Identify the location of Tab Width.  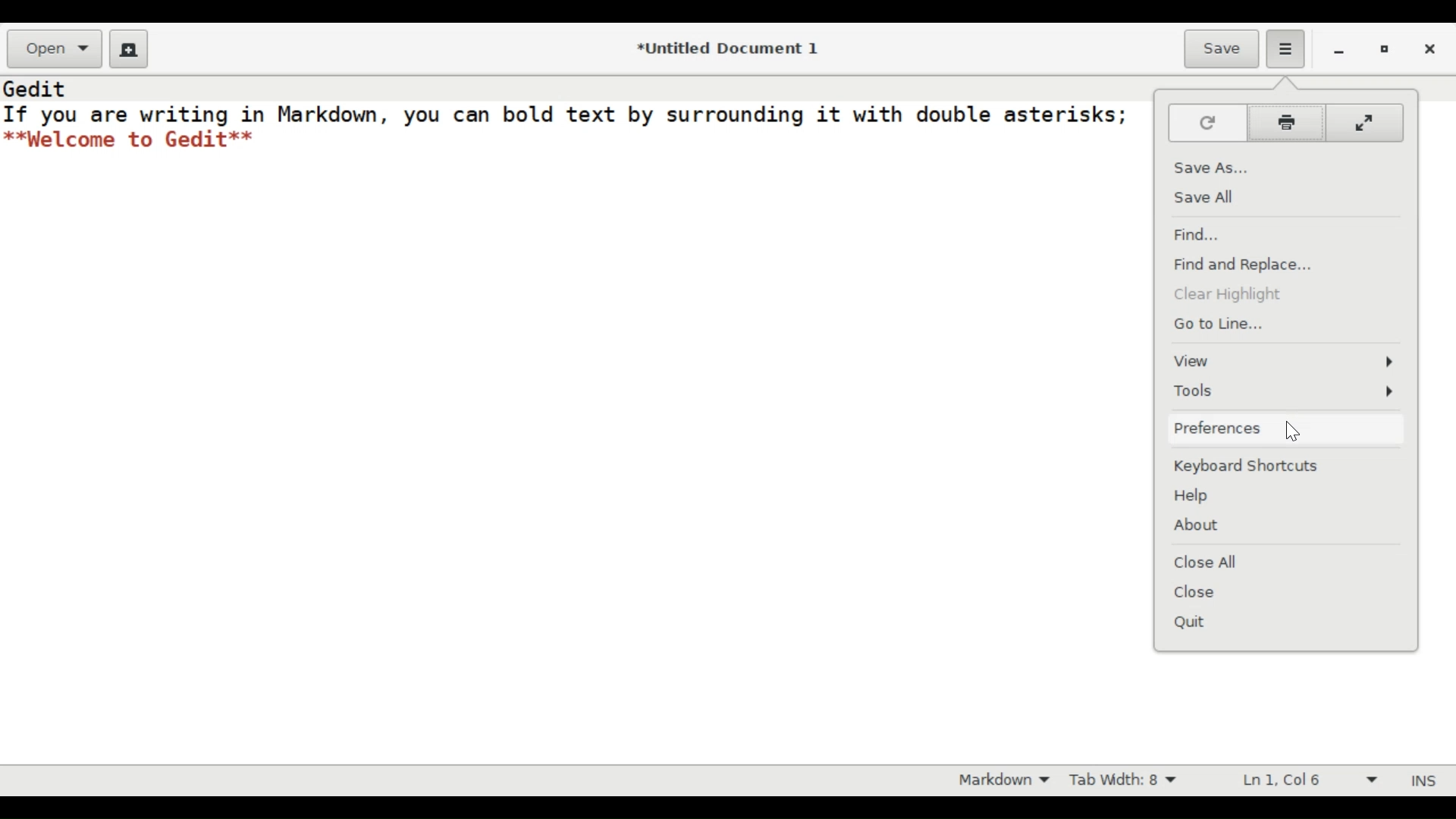
(1128, 780).